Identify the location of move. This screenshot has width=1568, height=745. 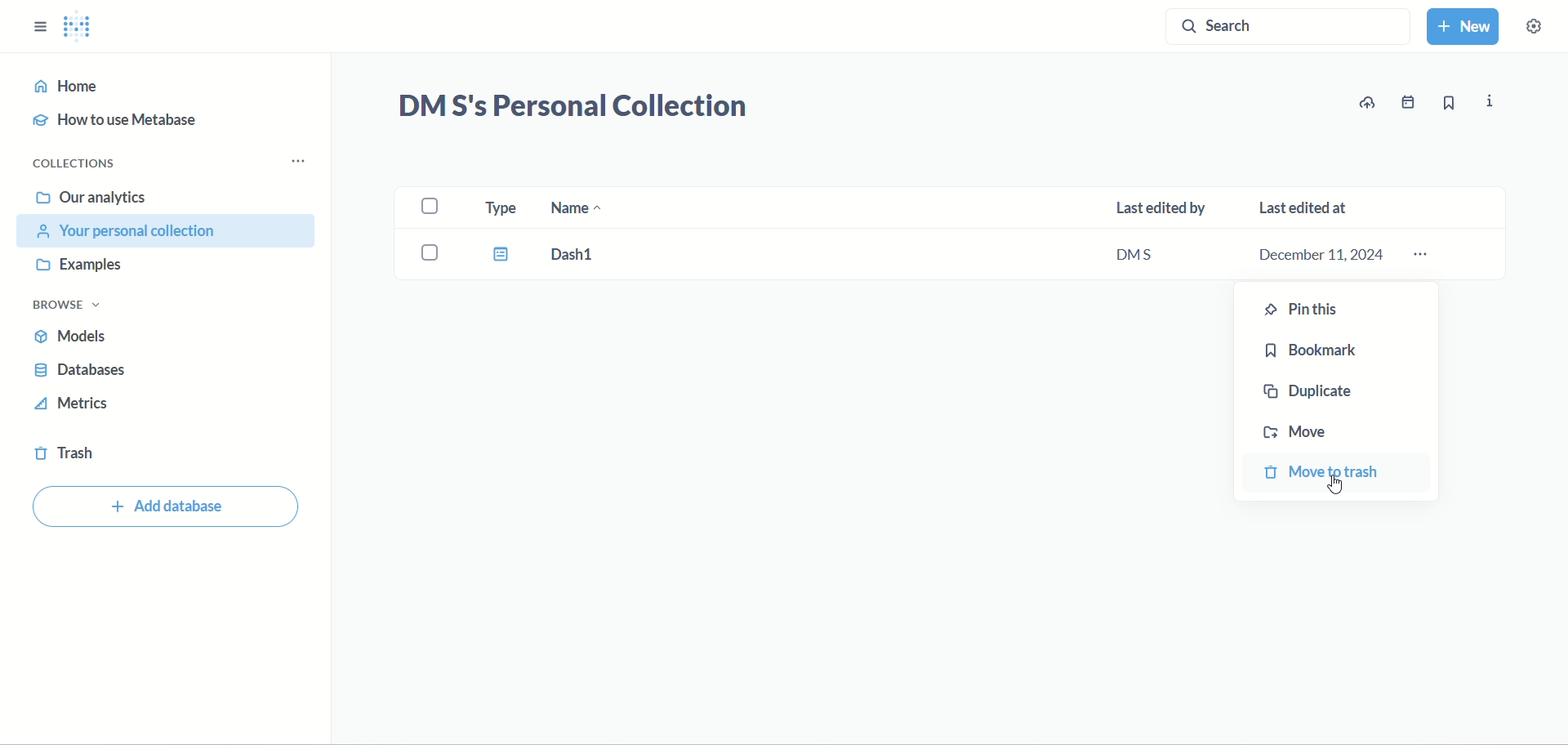
(1307, 432).